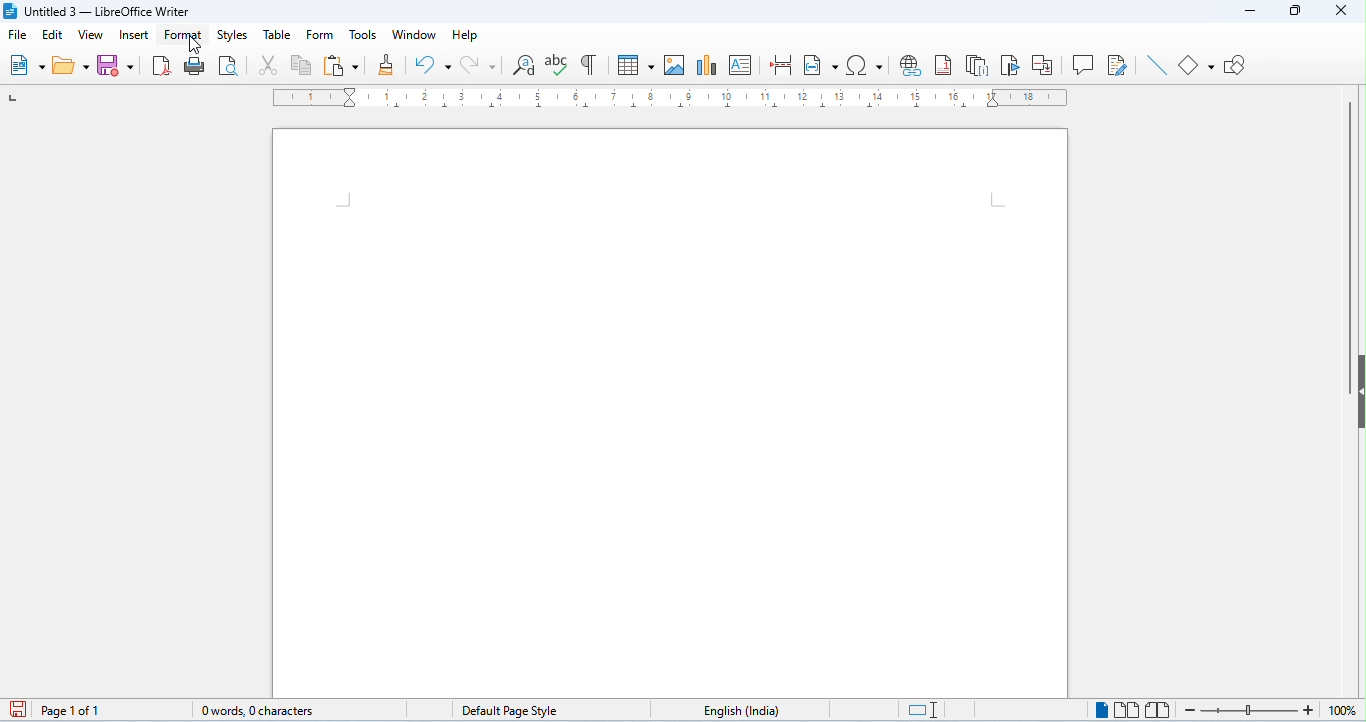 The width and height of the screenshot is (1366, 722). What do you see at coordinates (671, 413) in the screenshot?
I see `editor` at bounding box center [671, 413].